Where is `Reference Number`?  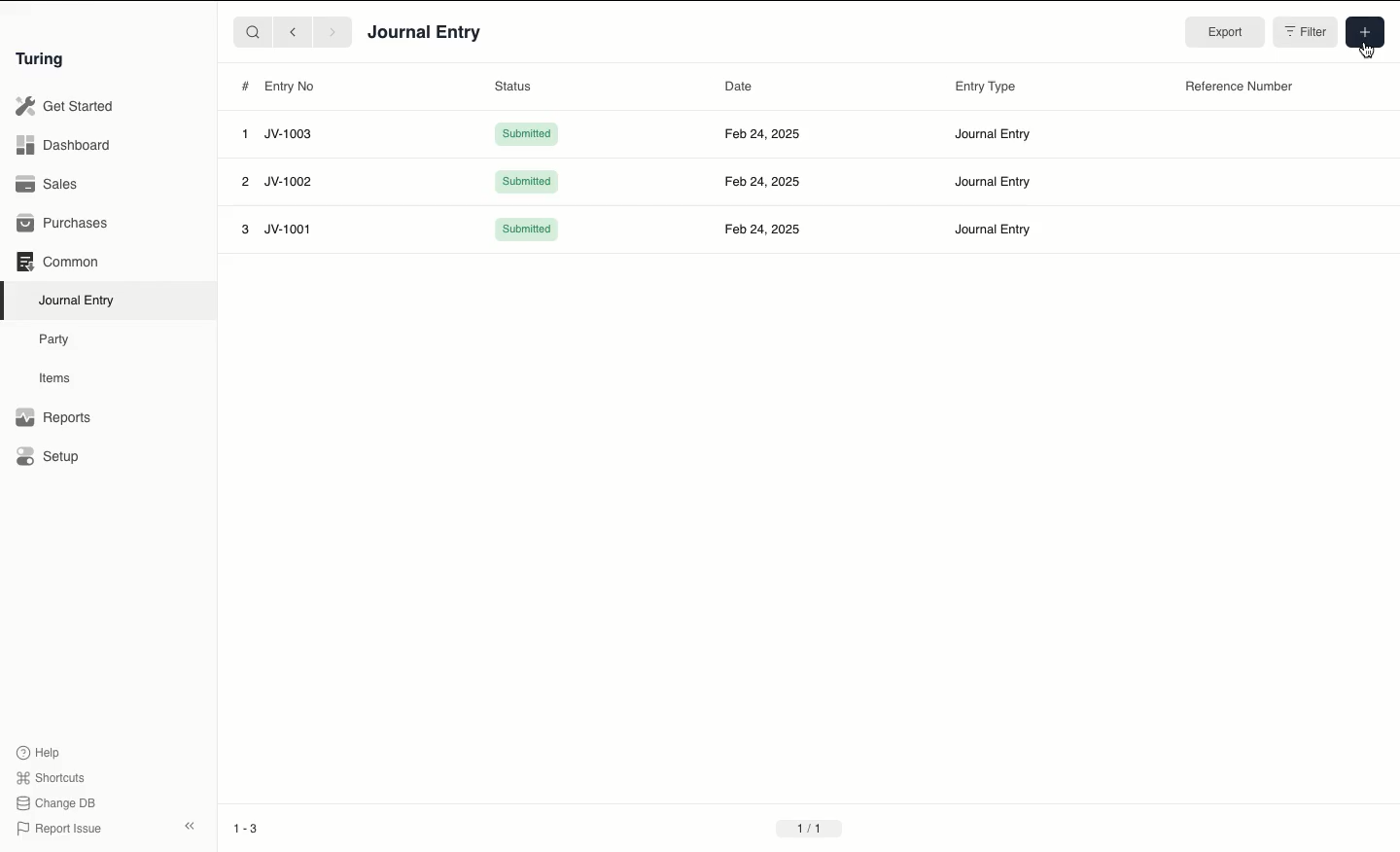 Reference Number is located at coordinates (1240, 88).